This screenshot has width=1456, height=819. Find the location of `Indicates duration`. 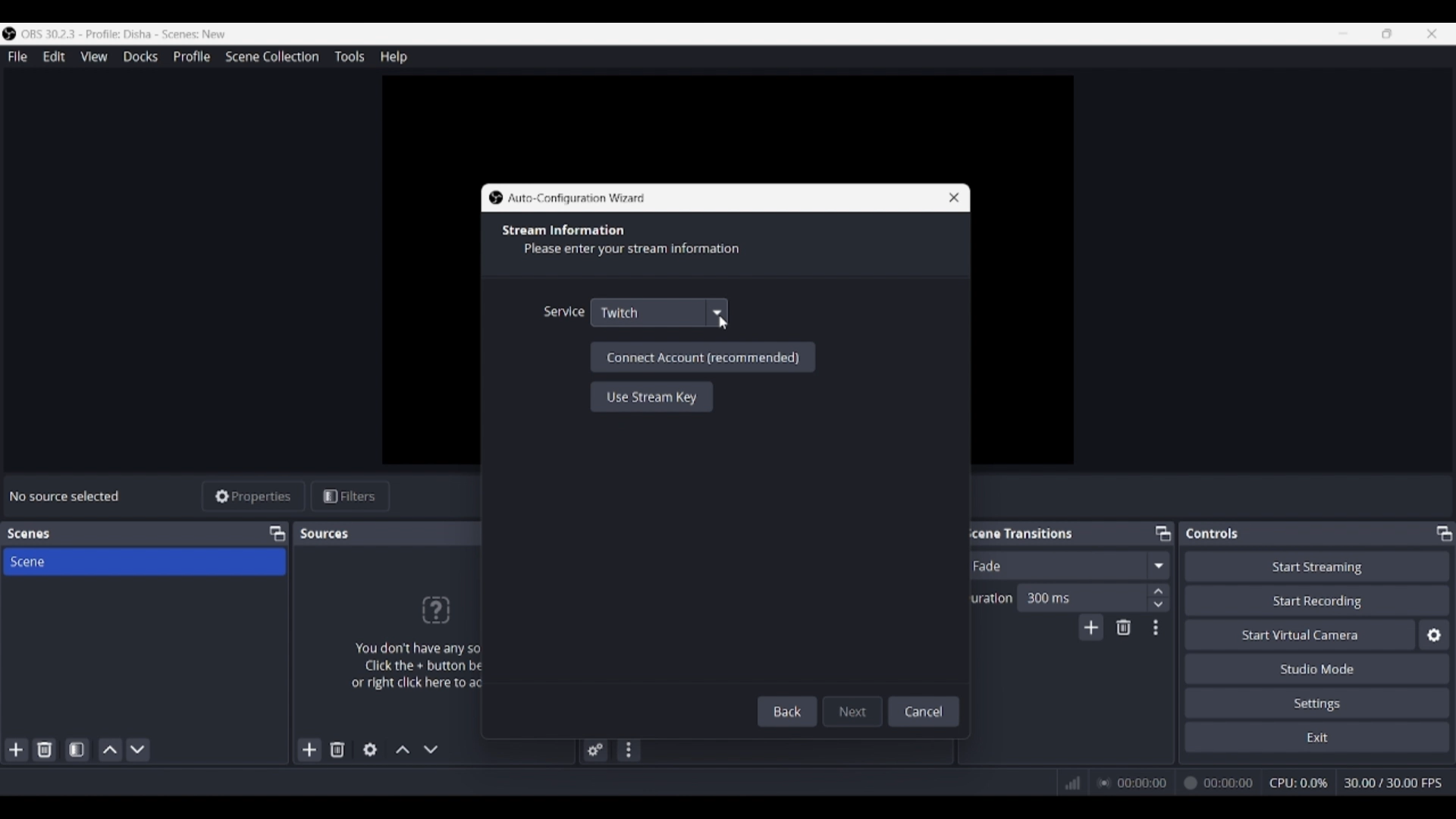

Indicates duration is located at coordinates (987, 598).